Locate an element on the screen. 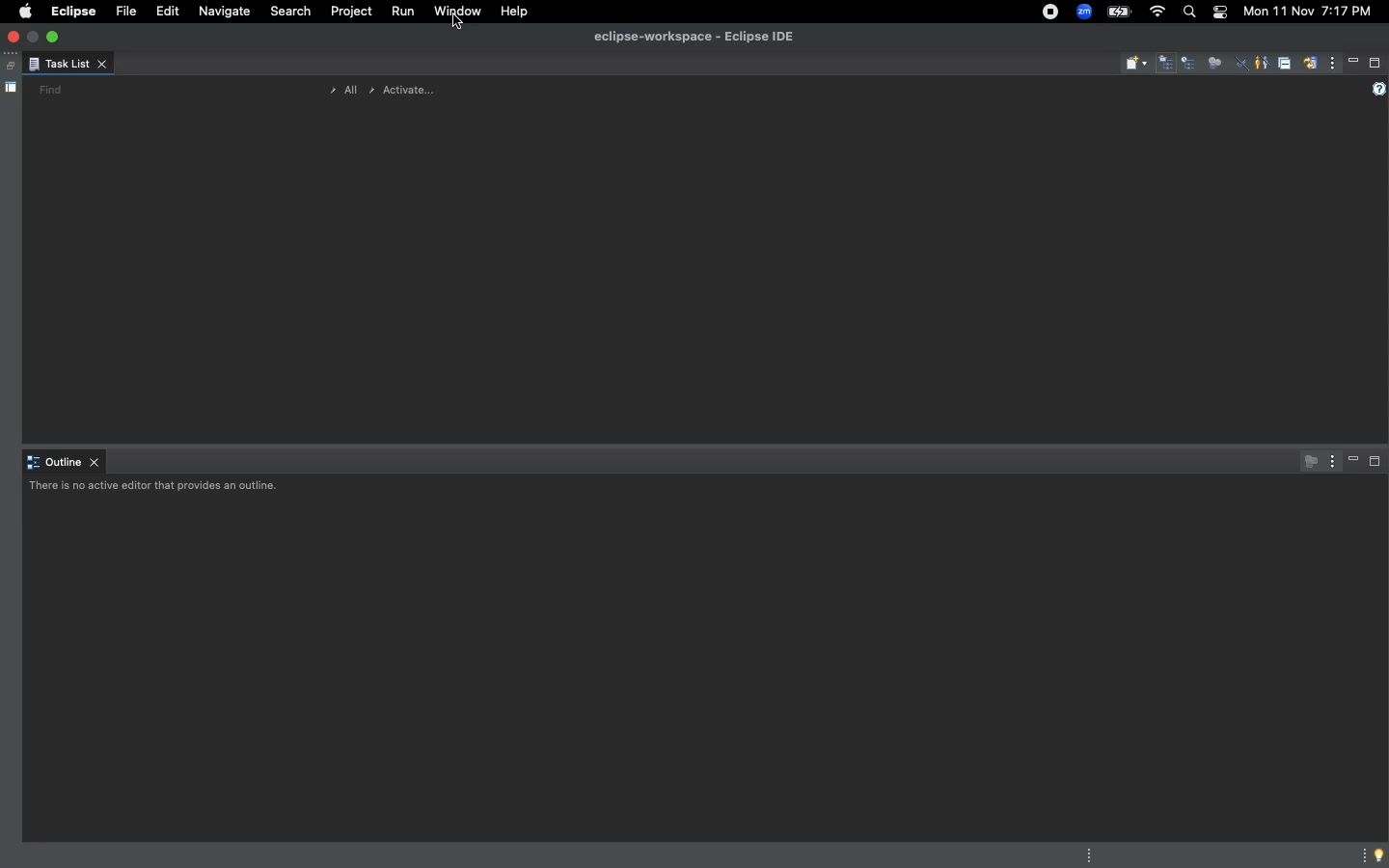 Image resolution: width=1389 pixels, height=868 pixels. Activate is located at coordinates (403, 88).